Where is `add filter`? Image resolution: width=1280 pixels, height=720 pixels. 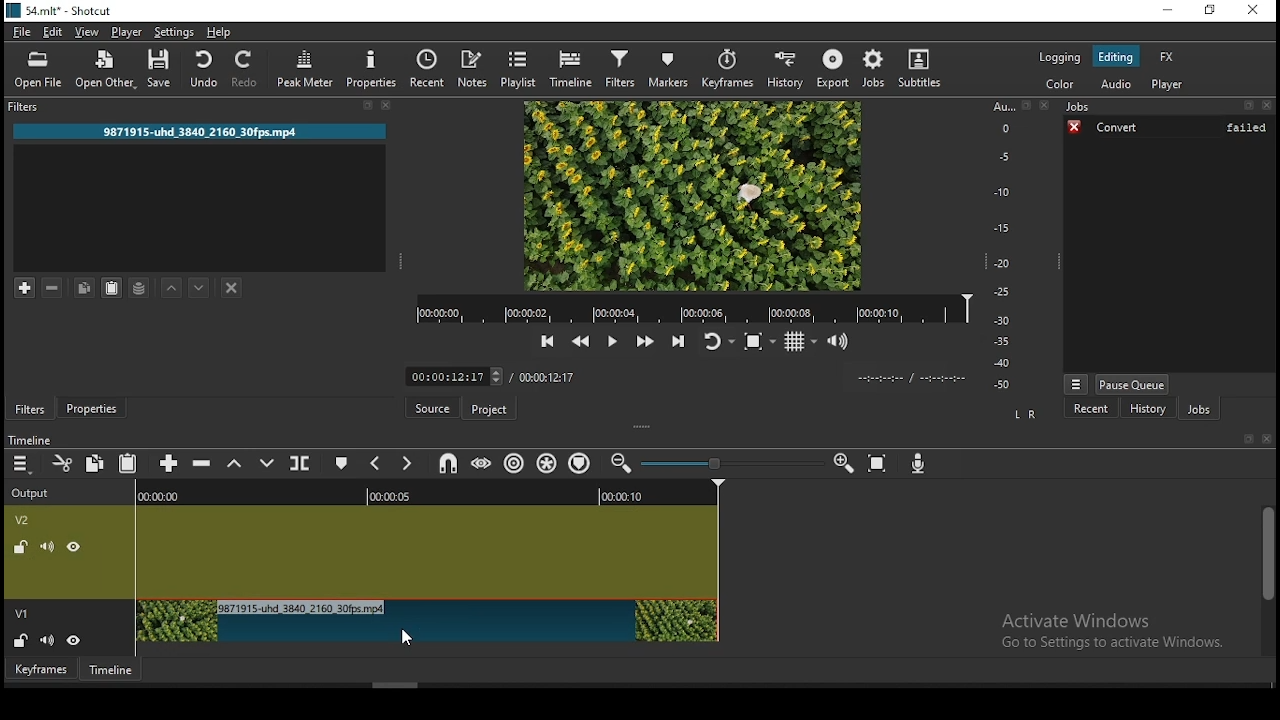 add filter is located at coordinates (27, 286).